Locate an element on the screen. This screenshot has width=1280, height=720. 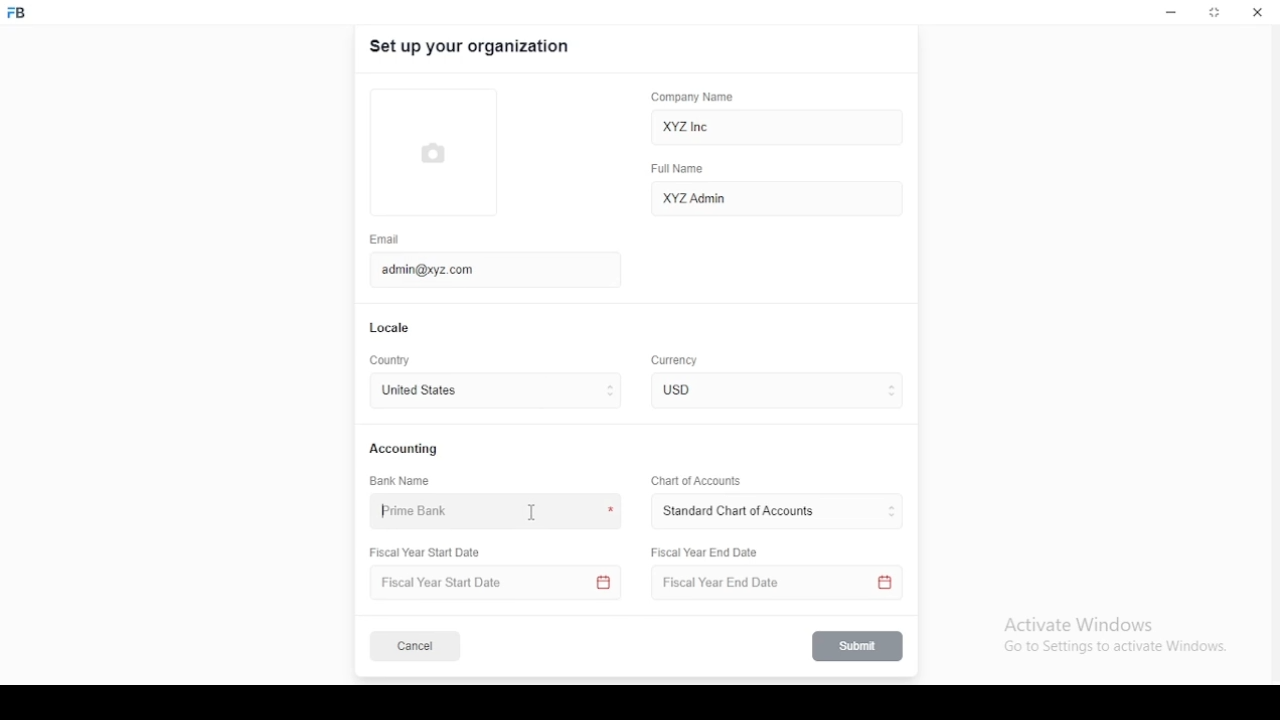
submit is located at coordinates (859, 646).